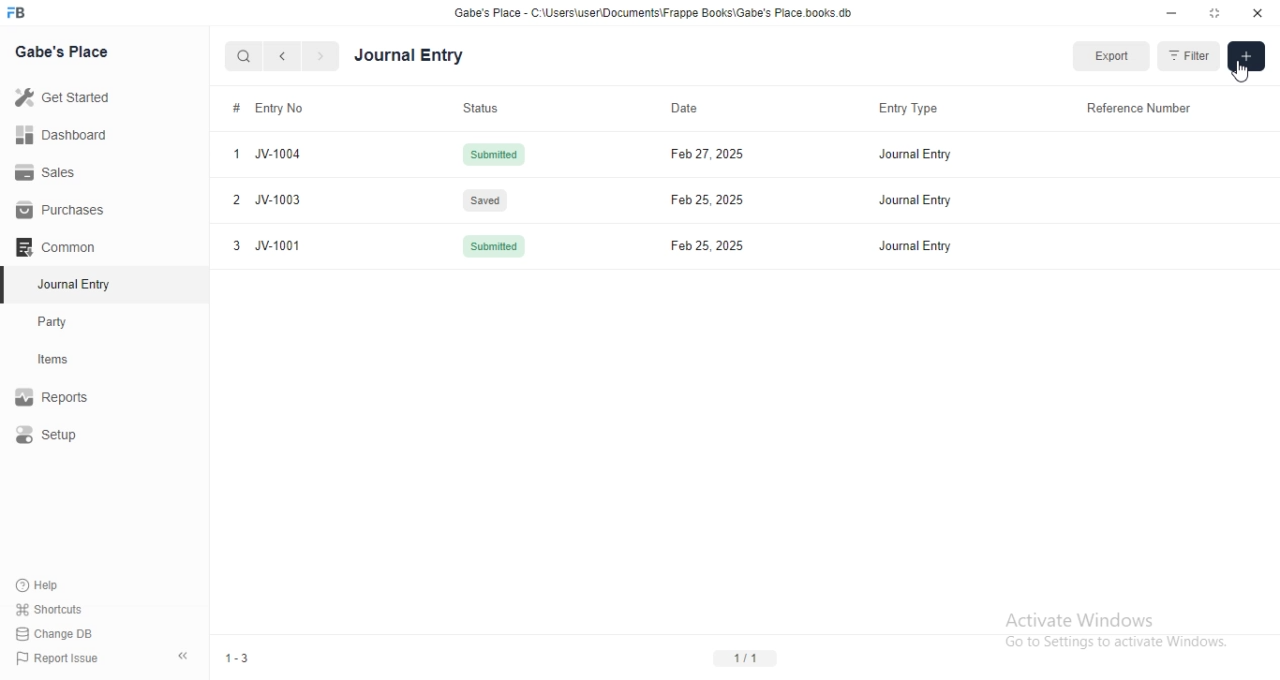 This screenshot has height=680, width=1280. What do you see at coordinates (64, 171) in the screenshot?
I see `Sales` at bounding box center [64, 171].